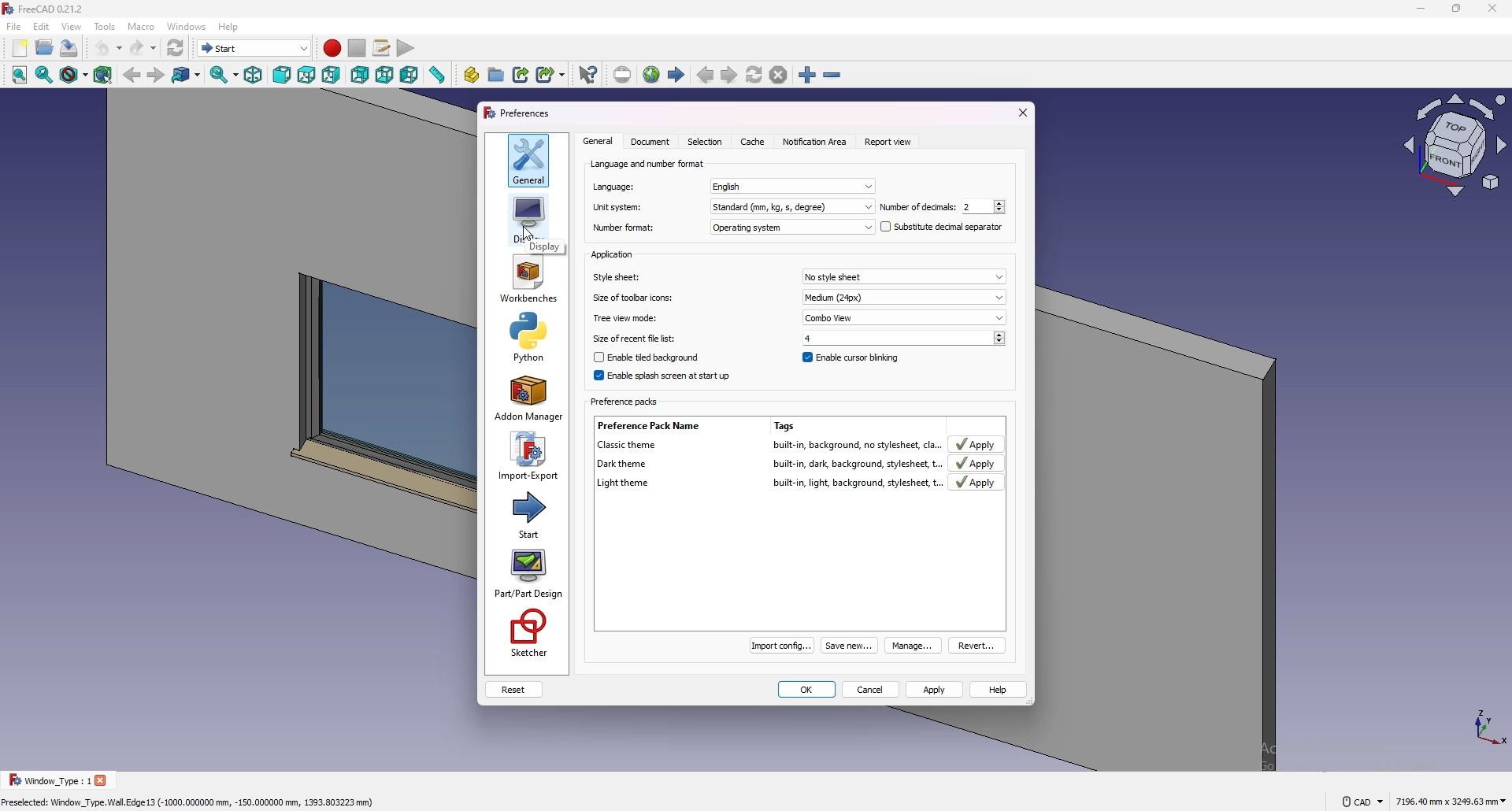 This screenshot has width=1512, height=811. Describe the element at coordinates (254, 76) in the screenshot. I see `isometric` at that location.